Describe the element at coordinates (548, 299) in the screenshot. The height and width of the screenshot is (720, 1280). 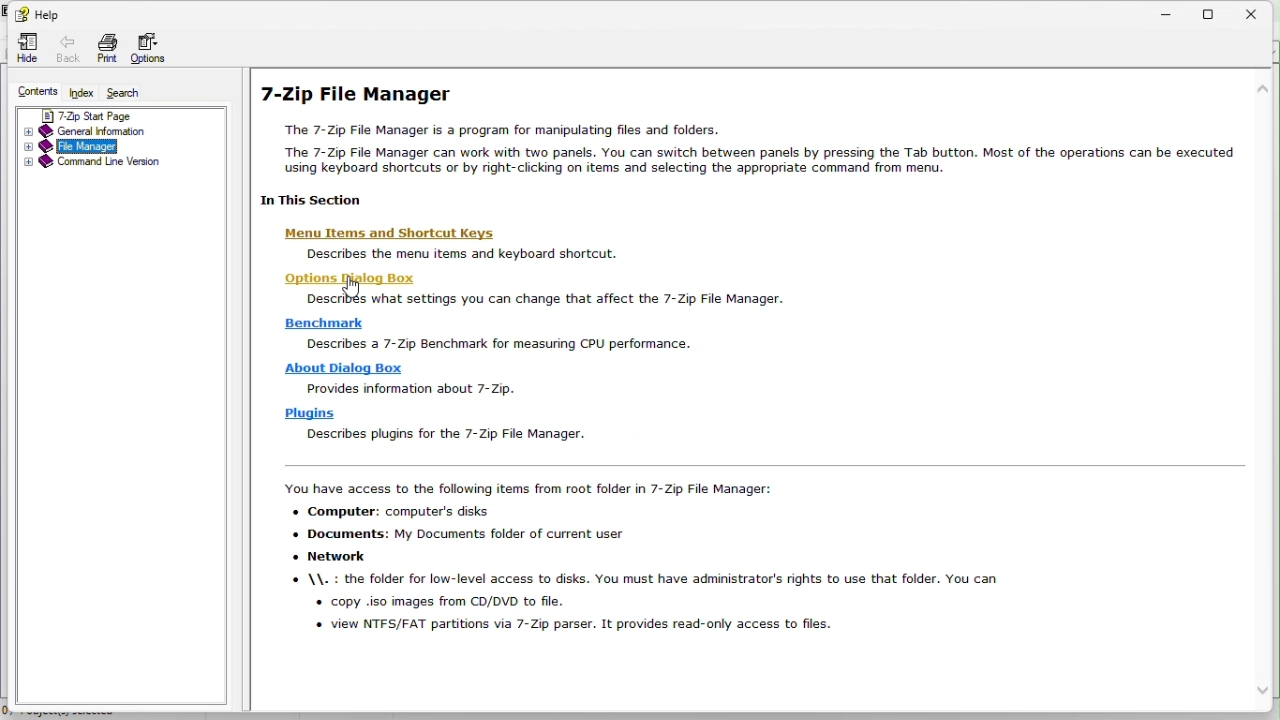
I see `7 zip file manager description` at that location.